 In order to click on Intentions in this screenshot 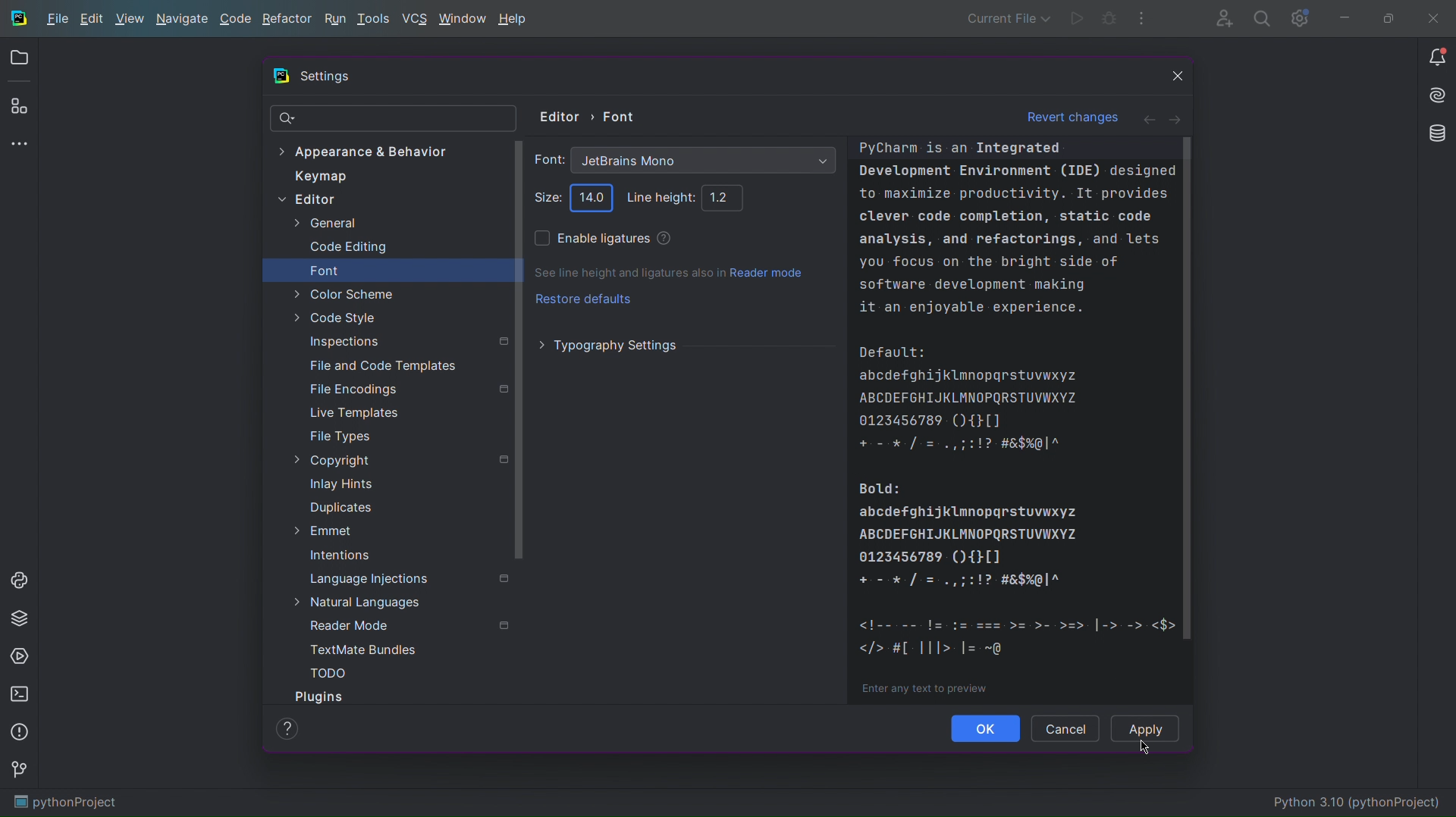, I will do `click(340, 556)`.